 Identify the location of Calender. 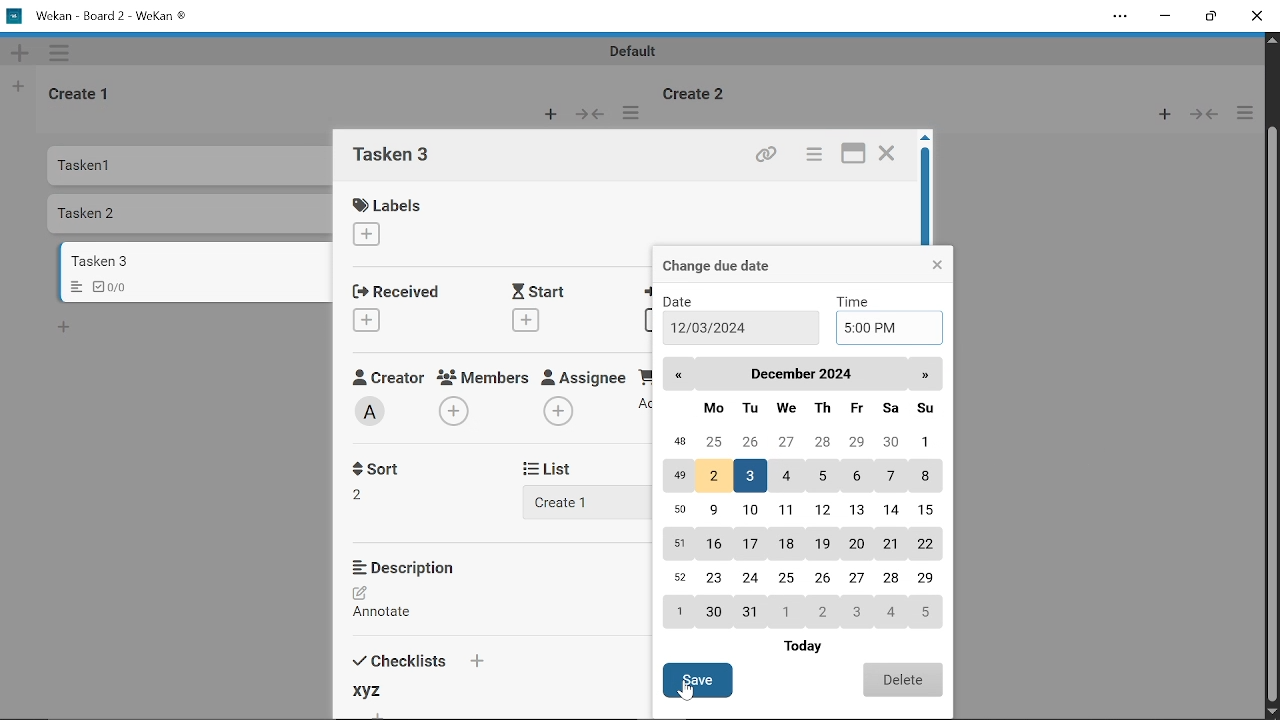
(801, 511).